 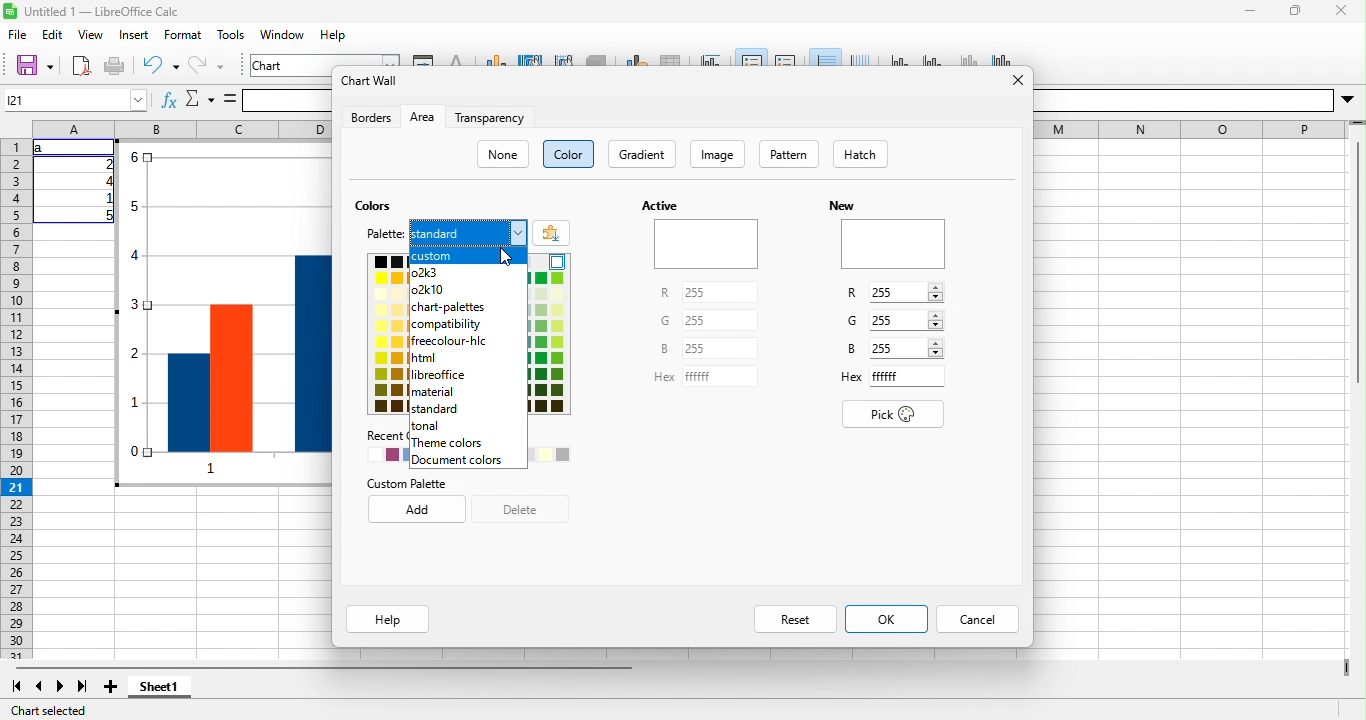 What do you see at coordinates (894, 244) in the screenshot?
I see `Preview of new` at bounding box center [894, 244].